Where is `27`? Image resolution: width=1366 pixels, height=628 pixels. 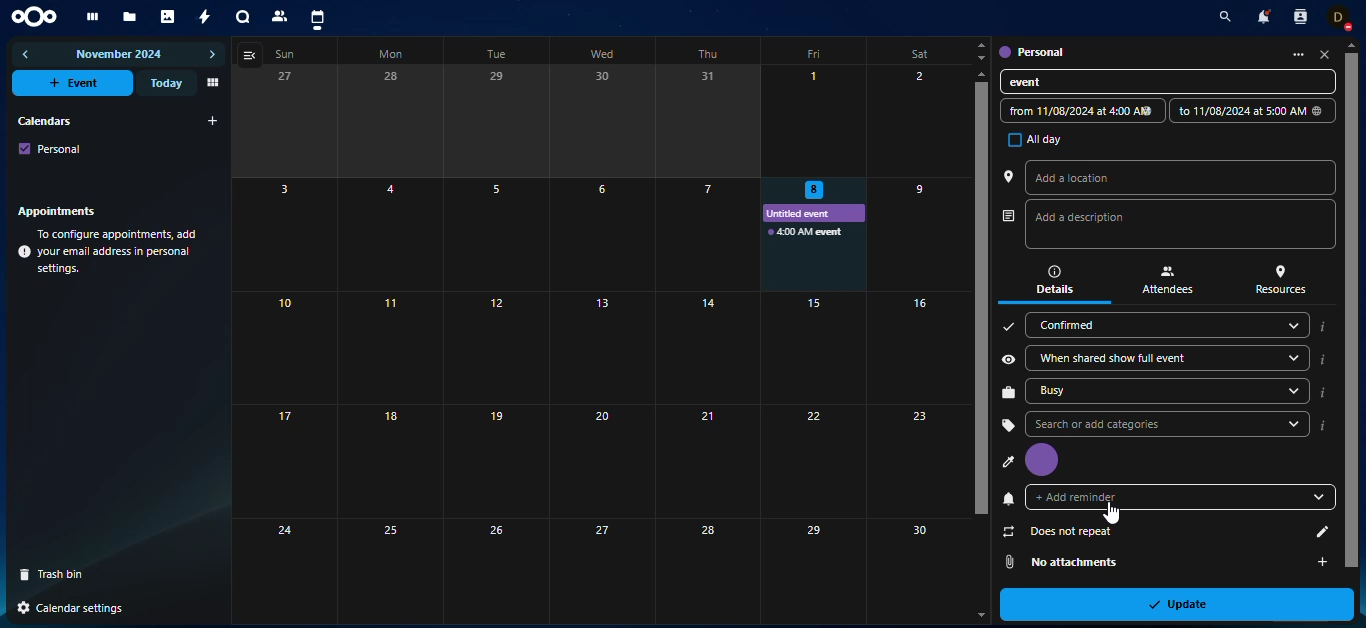 27 is located at coordinates (282, 123).